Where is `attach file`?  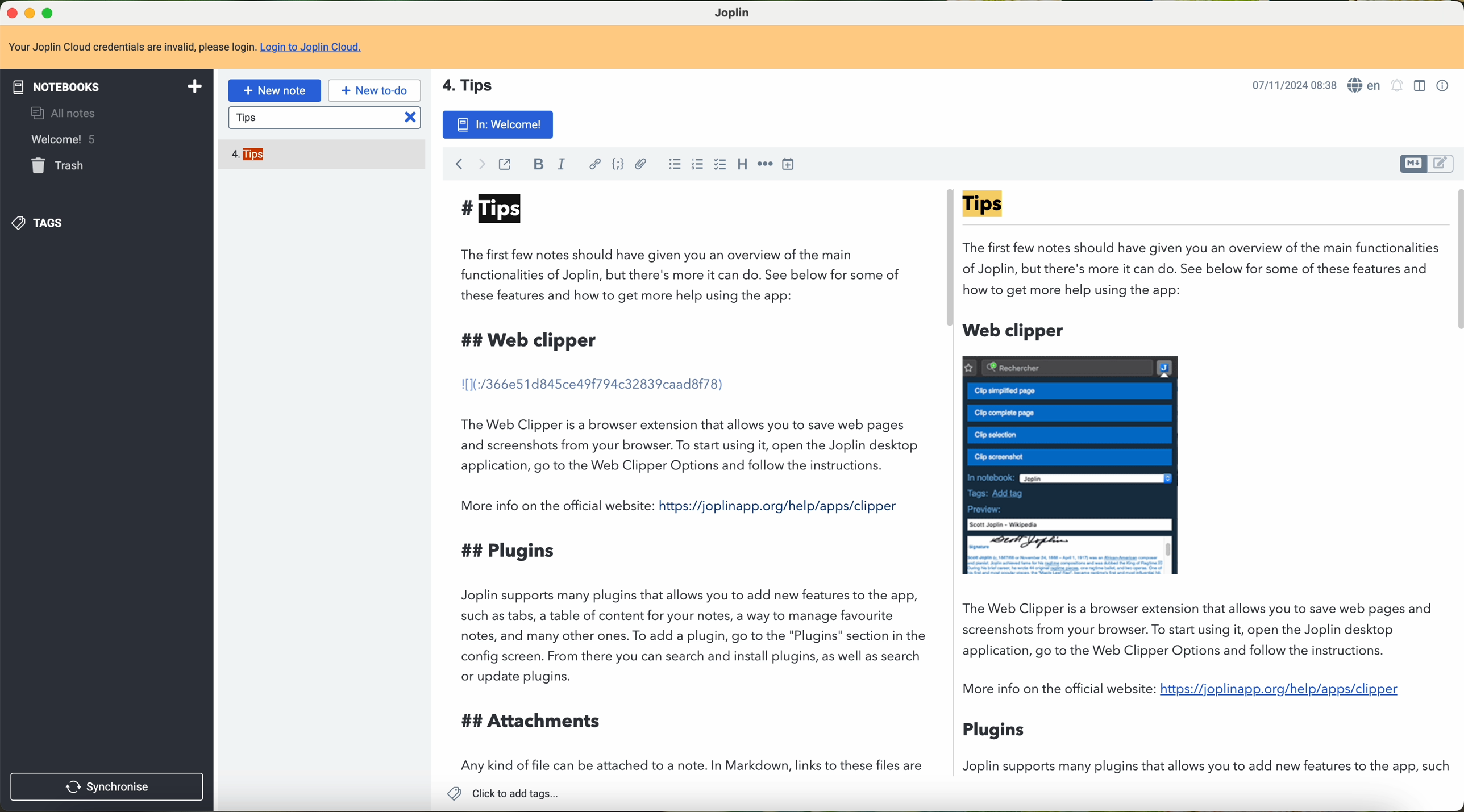 attach file is located at coordinates (640, 165).